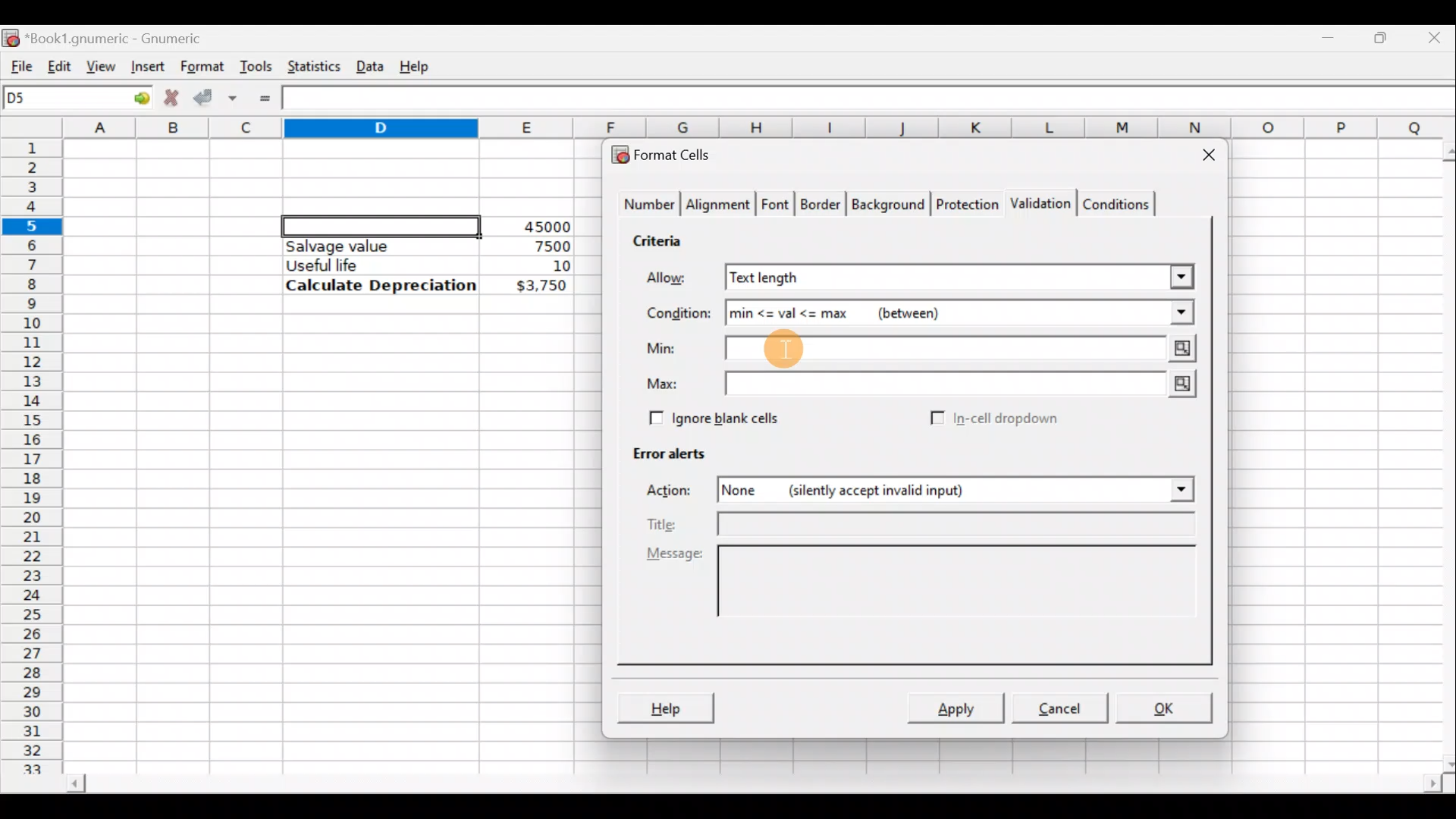  Describe the element at coordinates (678, 493) in the screenshot. I see `Action` at that location.